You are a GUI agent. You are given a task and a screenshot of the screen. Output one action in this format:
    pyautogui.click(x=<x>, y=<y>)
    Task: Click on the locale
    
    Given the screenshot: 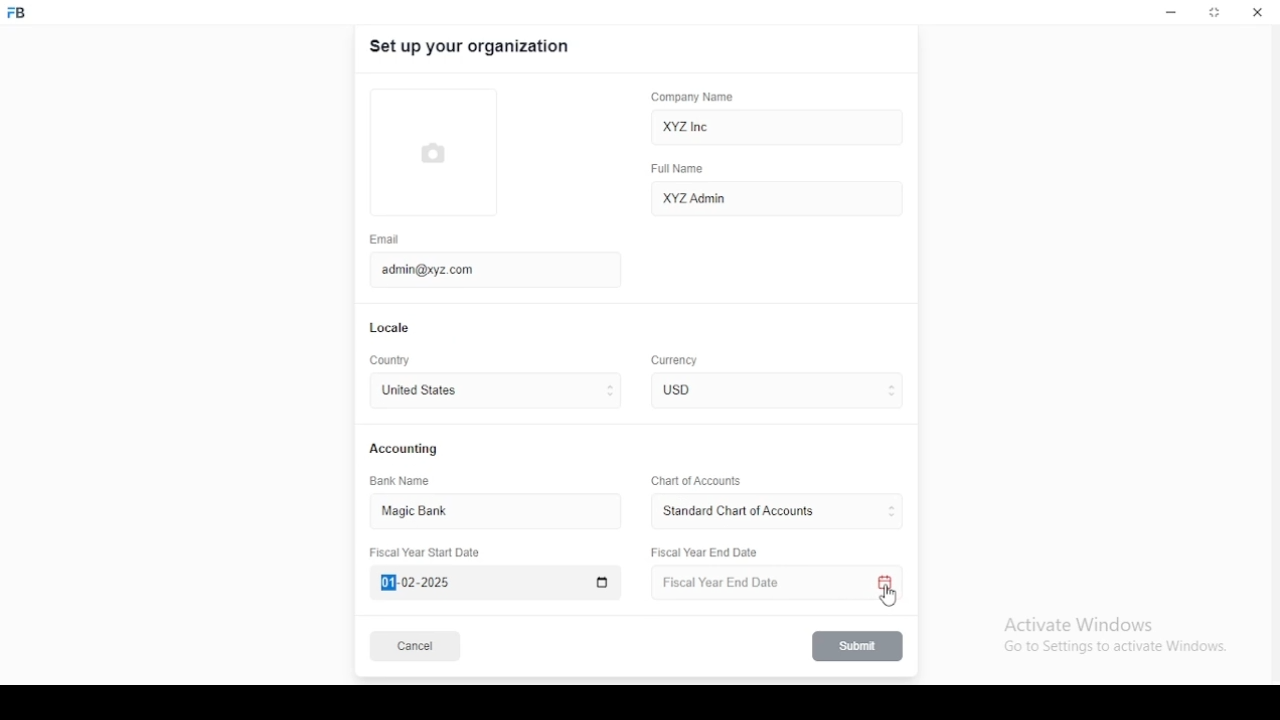 What is the action you would take?
    pyautogui.click(x=391, y=328)
    